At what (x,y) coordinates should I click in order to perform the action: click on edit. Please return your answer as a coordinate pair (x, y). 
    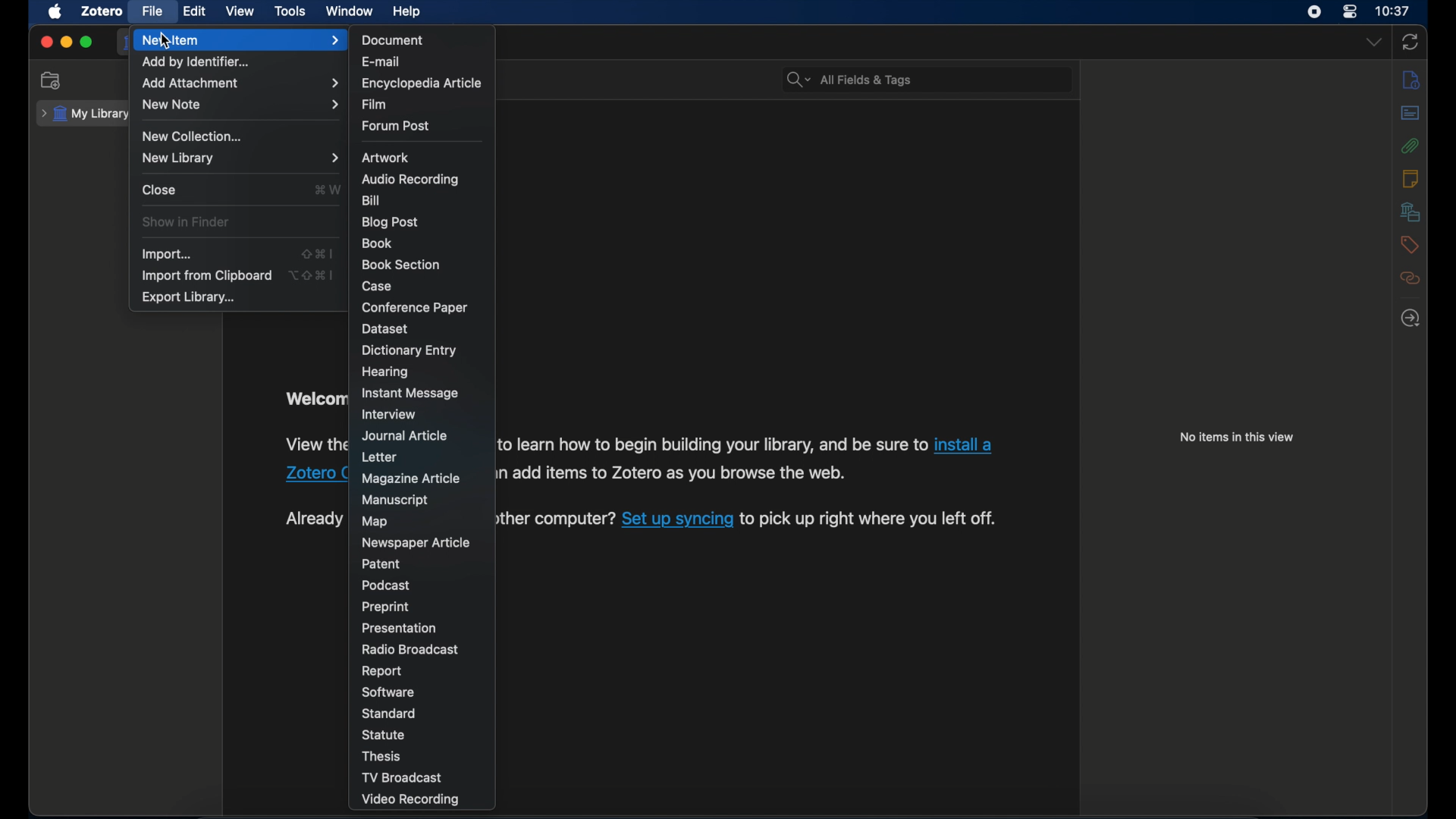
    Looking at the image, I should click on (194, 12).